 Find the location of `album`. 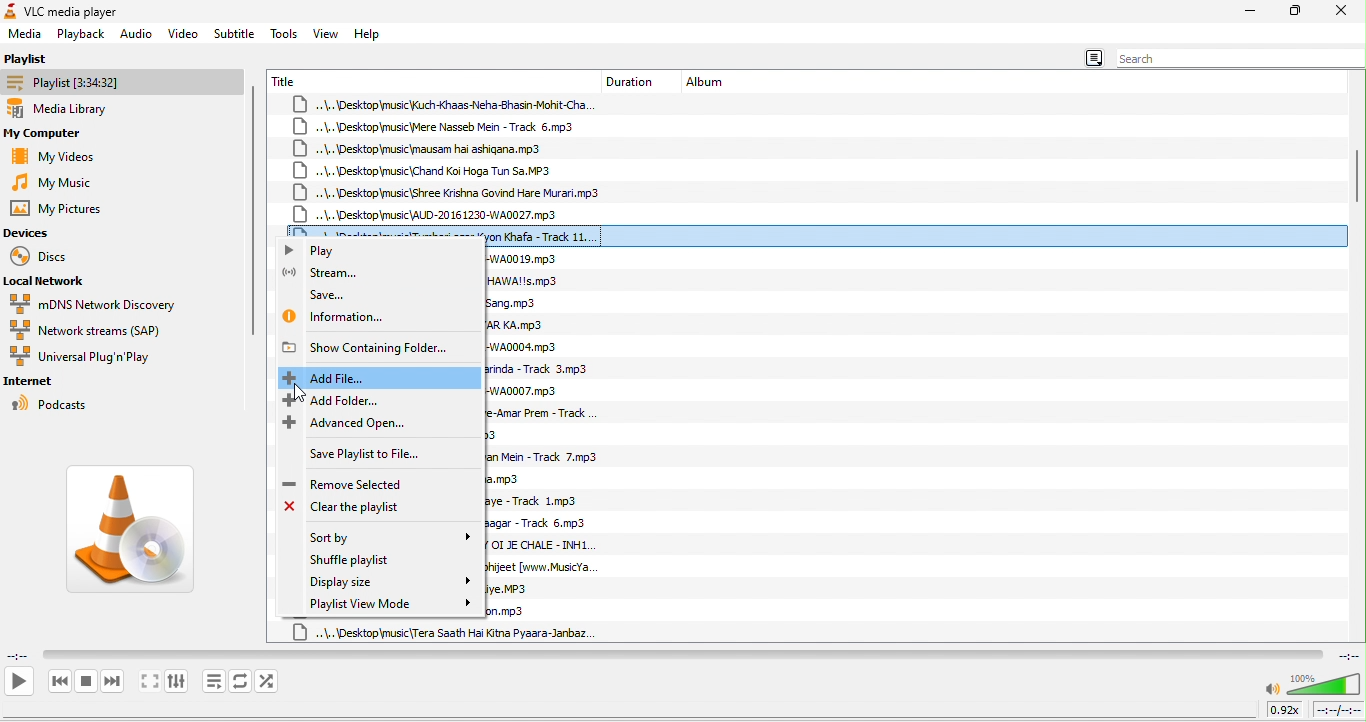

album is located at coordinates (711, 81).